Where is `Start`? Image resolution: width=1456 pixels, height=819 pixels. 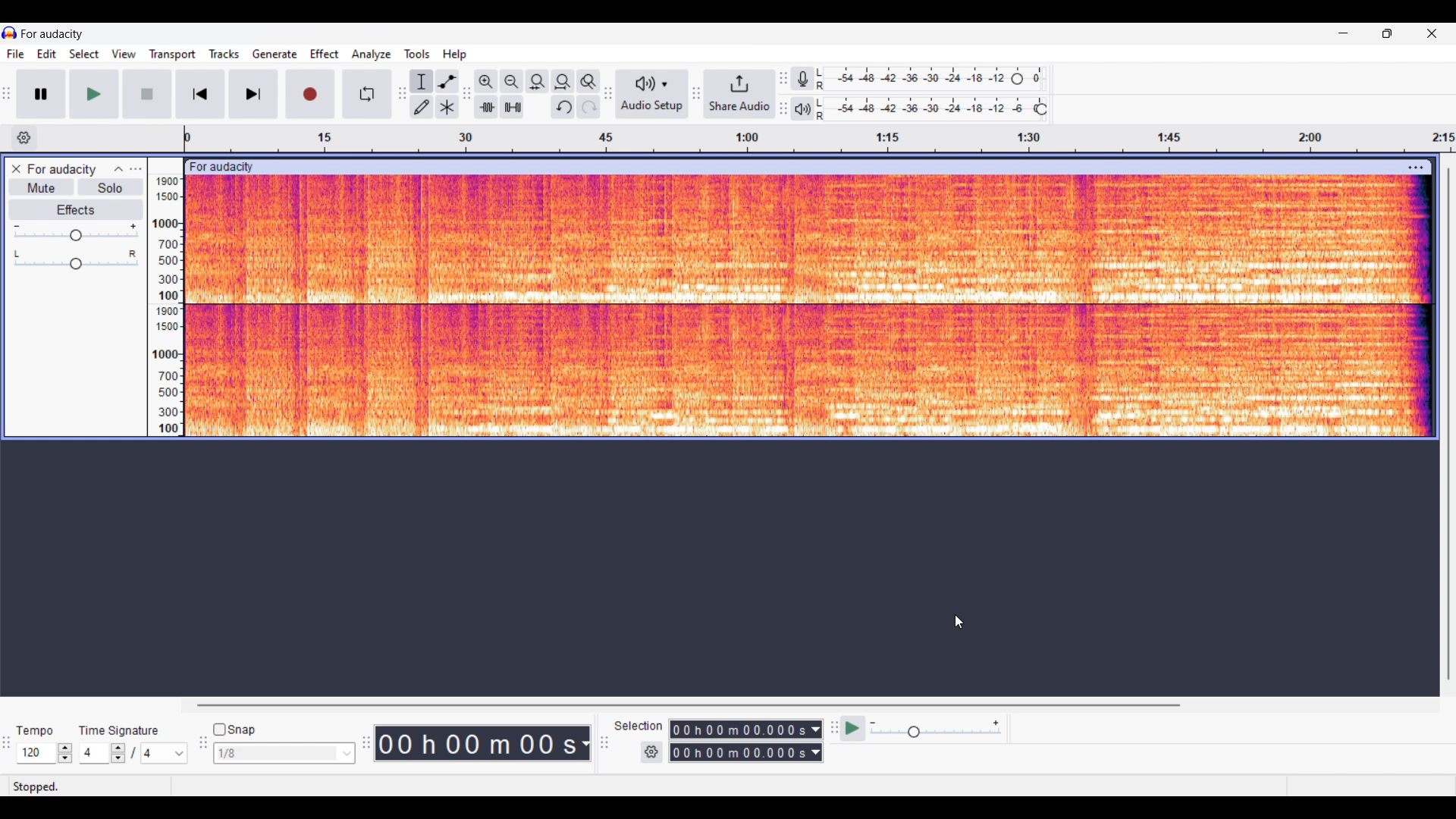
Start is located at coordinates (148, 94).